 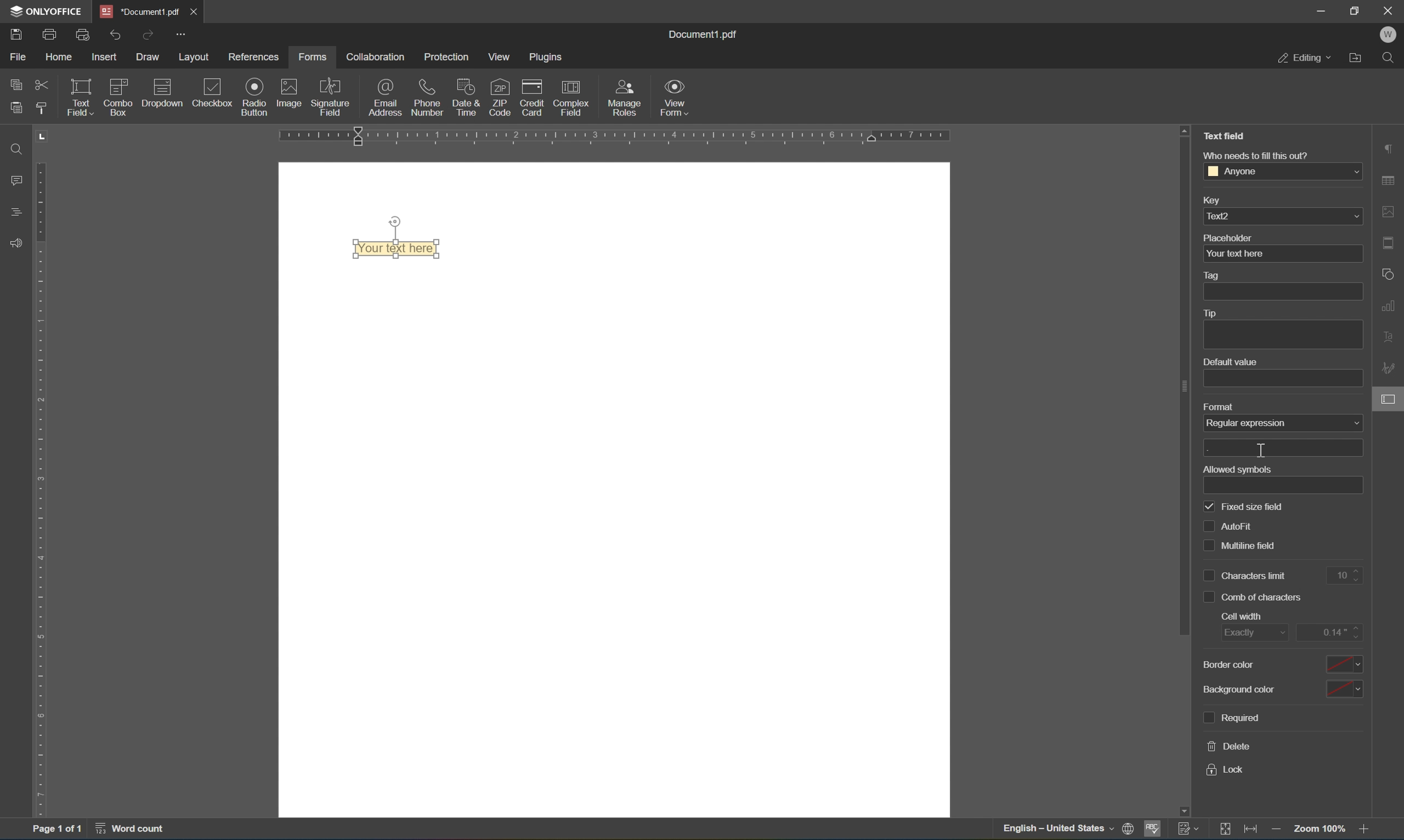 I want to click on document1, so click(x=137, y=9).